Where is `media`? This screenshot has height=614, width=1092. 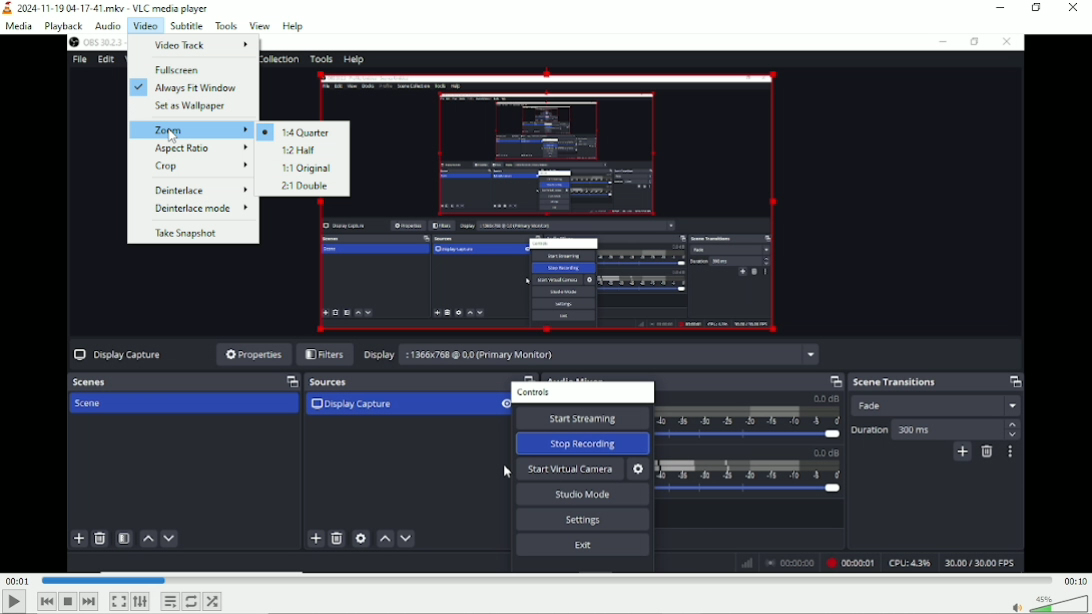 media is located at coordinates (21, 26).